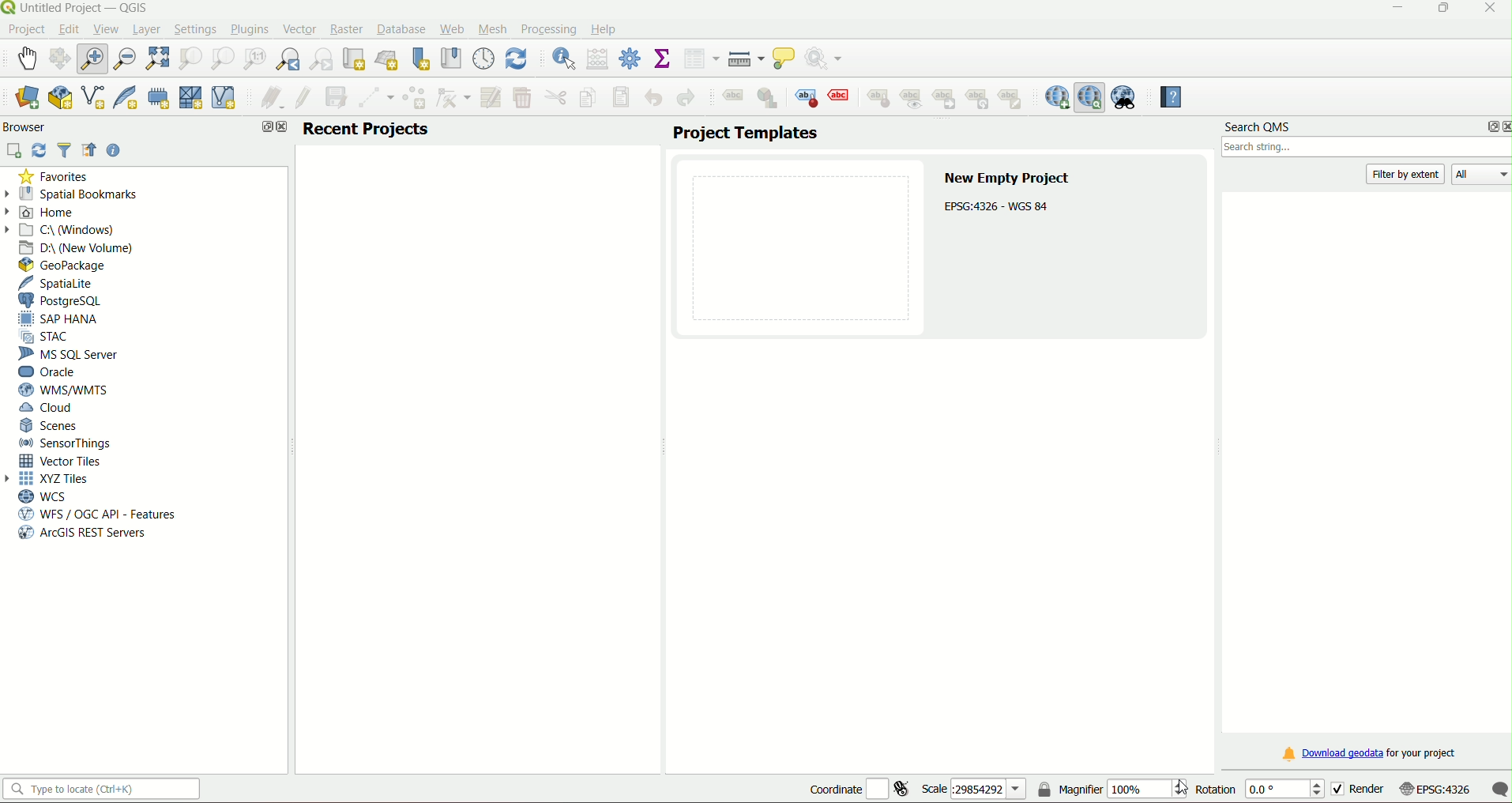 Image resolution: width=1512 pixels, height=803 pixels. What do you see at coordinates (158, 58) in the screenshot?
I see `zoom full` at bounding box center [158, 58].